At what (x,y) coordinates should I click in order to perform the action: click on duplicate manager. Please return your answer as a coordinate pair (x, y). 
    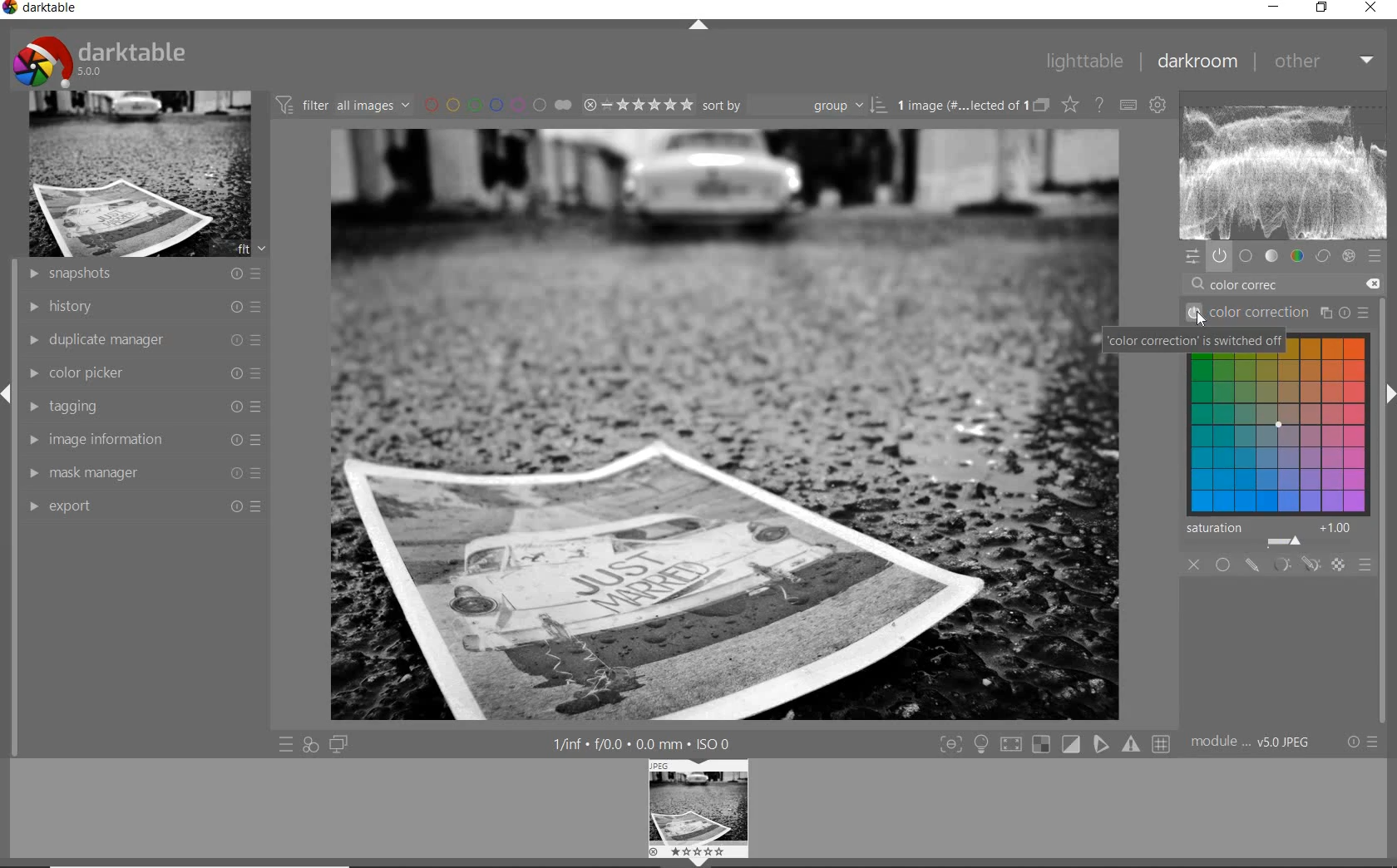
    Looking at the image, I should click on (142, 341).